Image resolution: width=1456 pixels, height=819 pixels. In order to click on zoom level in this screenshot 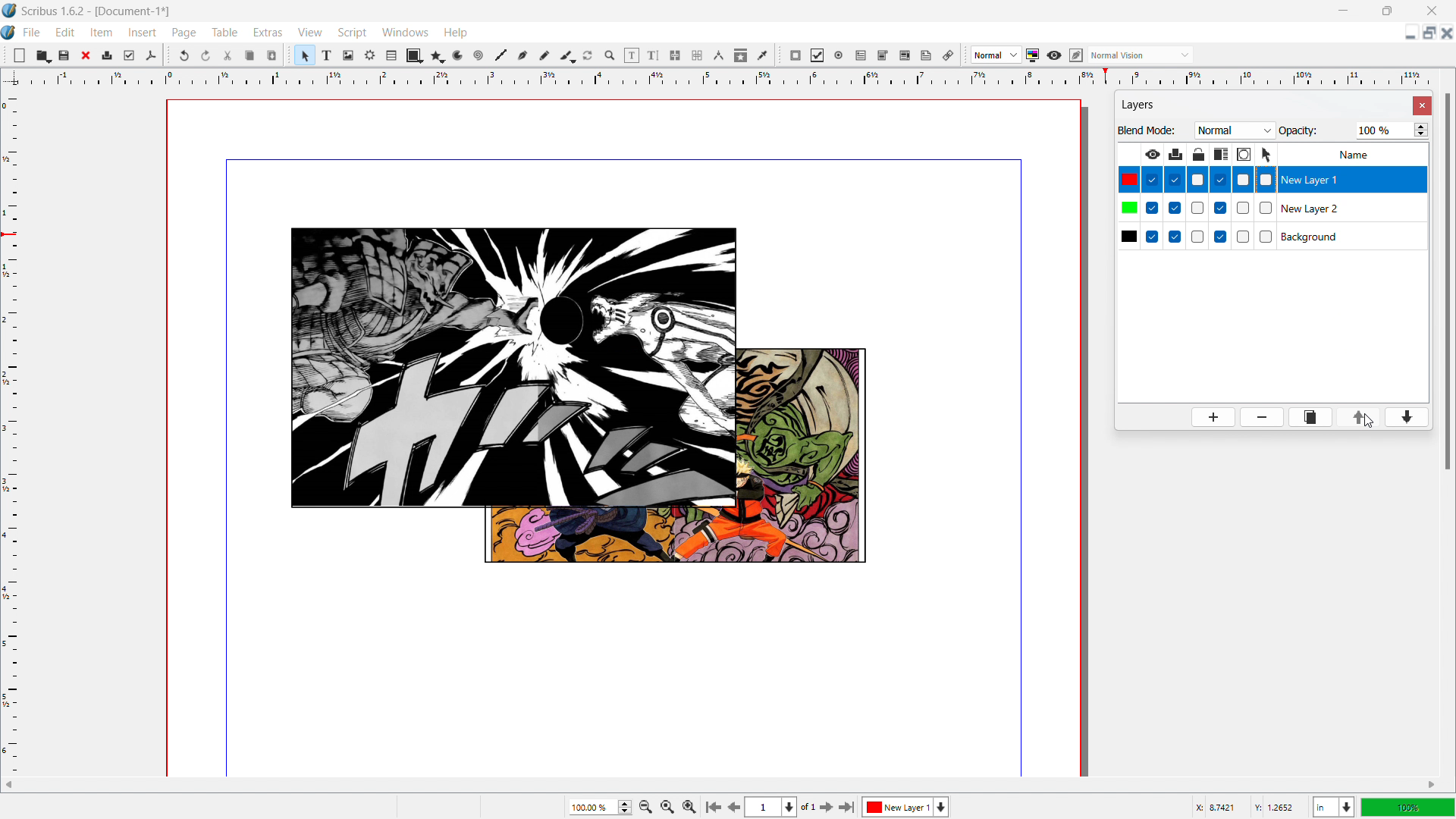, I will do `click(1409, 807)`.